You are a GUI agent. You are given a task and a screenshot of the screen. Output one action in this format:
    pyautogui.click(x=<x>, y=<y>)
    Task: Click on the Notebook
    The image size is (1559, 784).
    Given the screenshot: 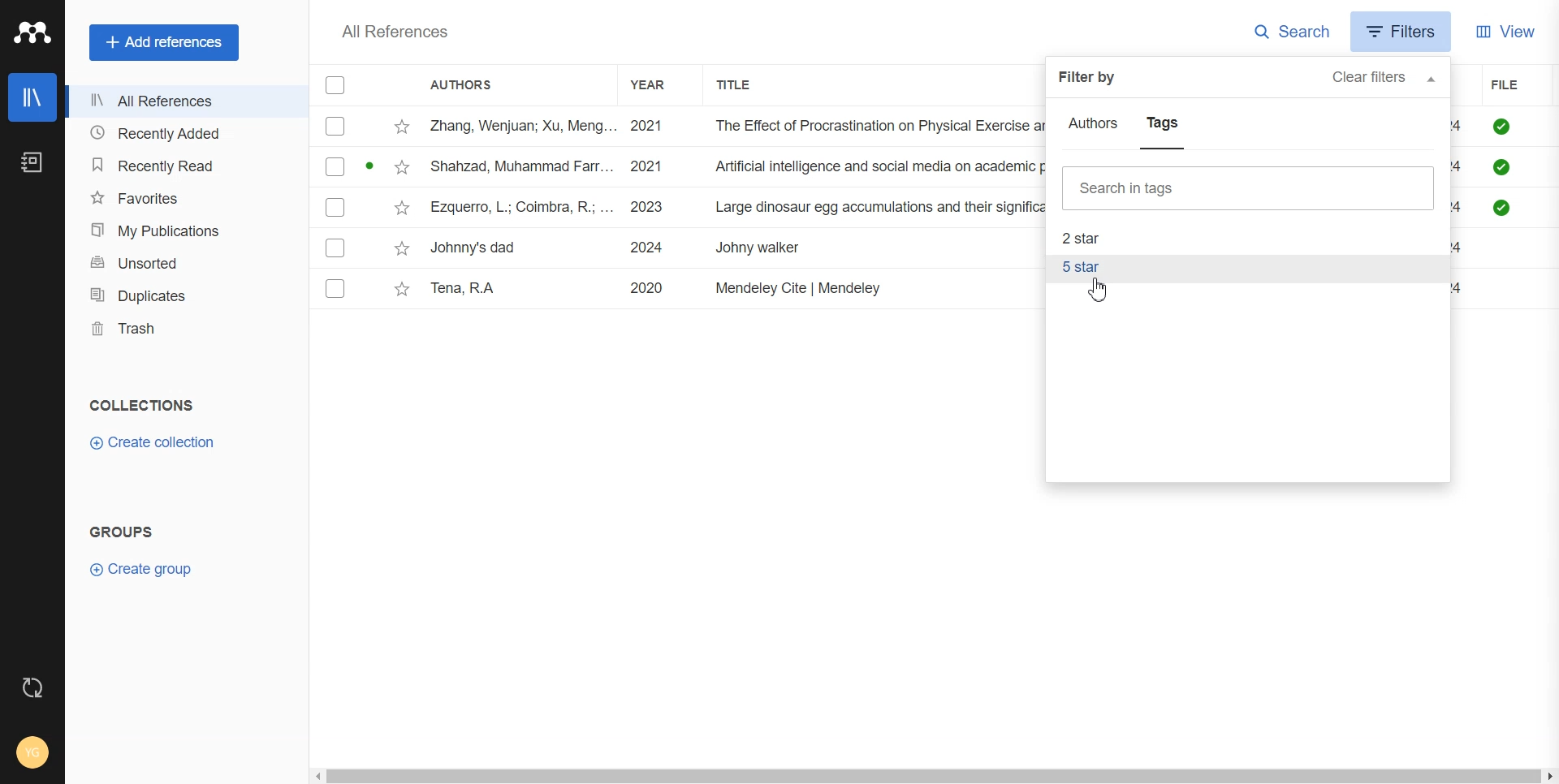 What is the action you would take?
    pyautogui.click(x=32, y=162)
    